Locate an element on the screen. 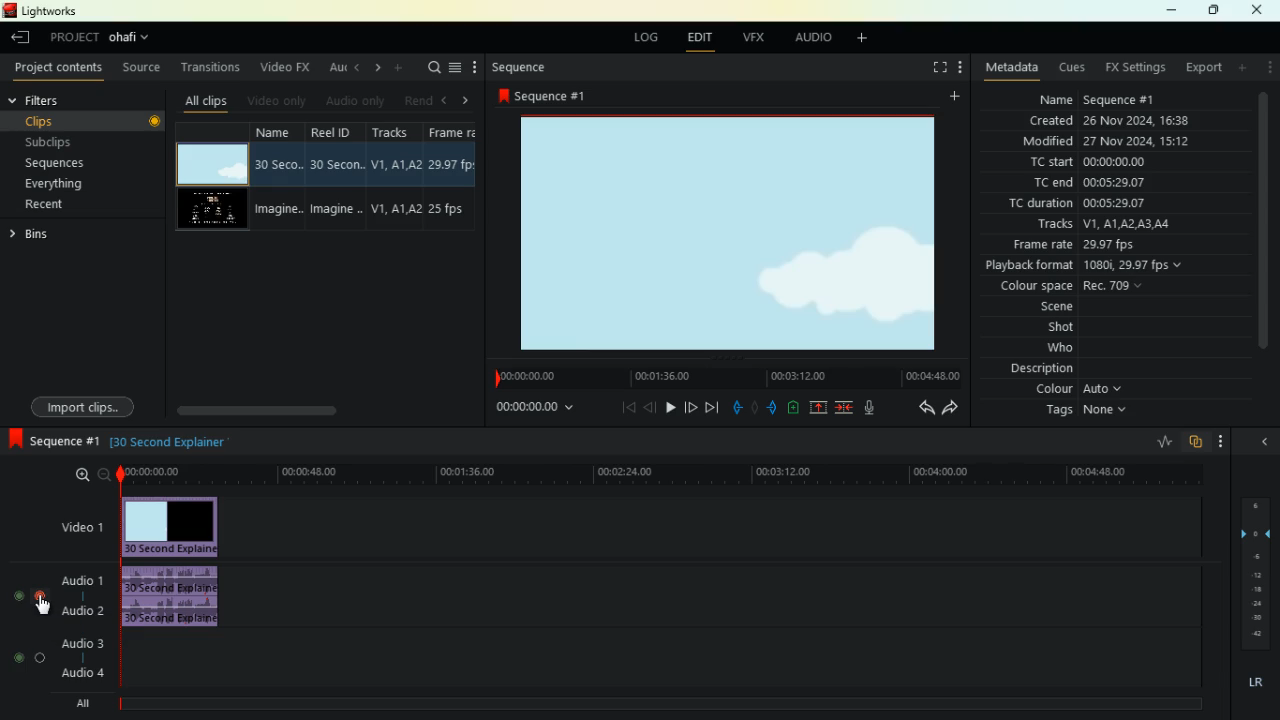 This screenshot has height=720, width=1280. video 1 timeline track is located at coordinates (716, 527).